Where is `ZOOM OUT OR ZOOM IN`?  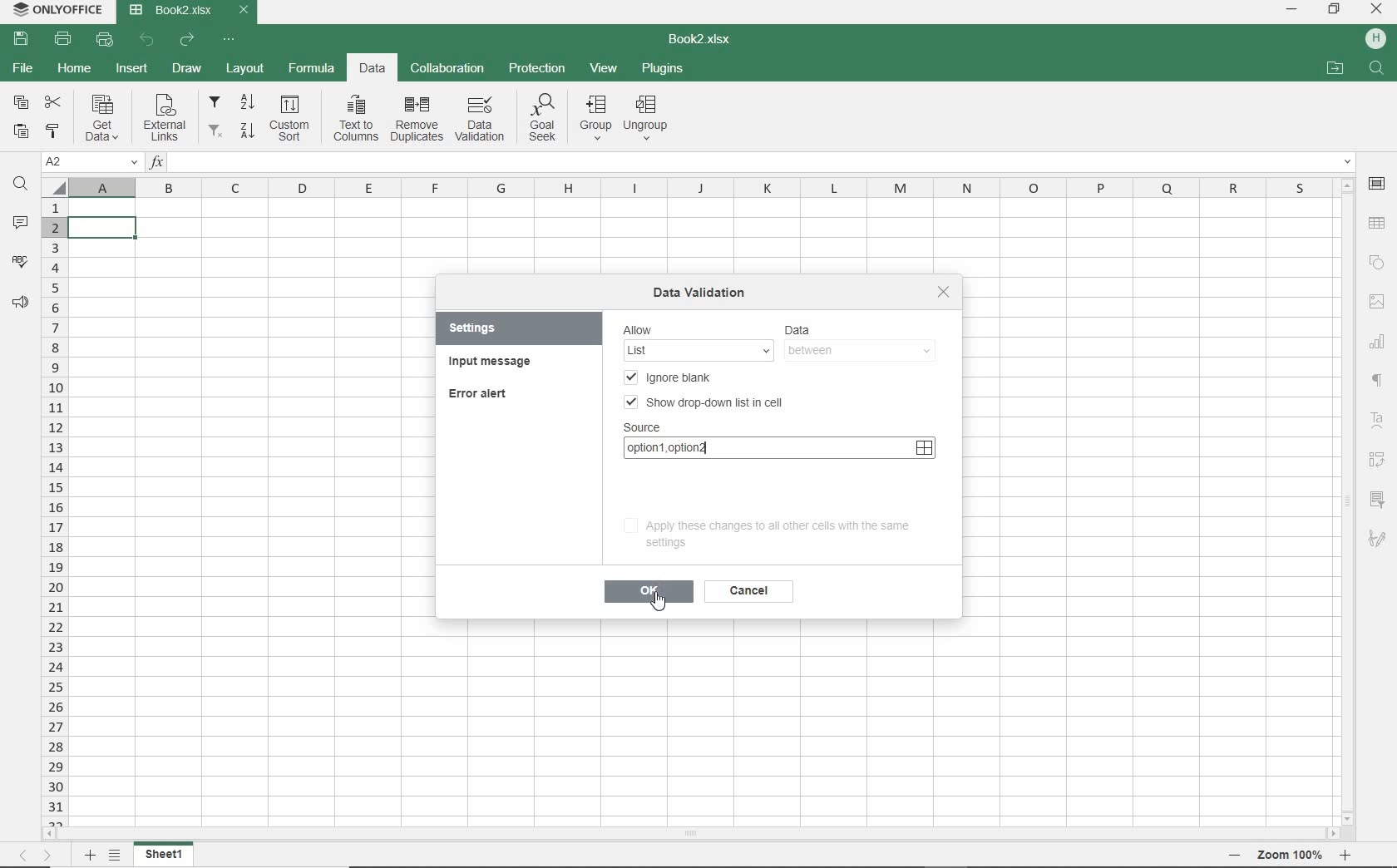 ZOOM OUT OR ZOOM IN is located at coordinates (1285, 856).